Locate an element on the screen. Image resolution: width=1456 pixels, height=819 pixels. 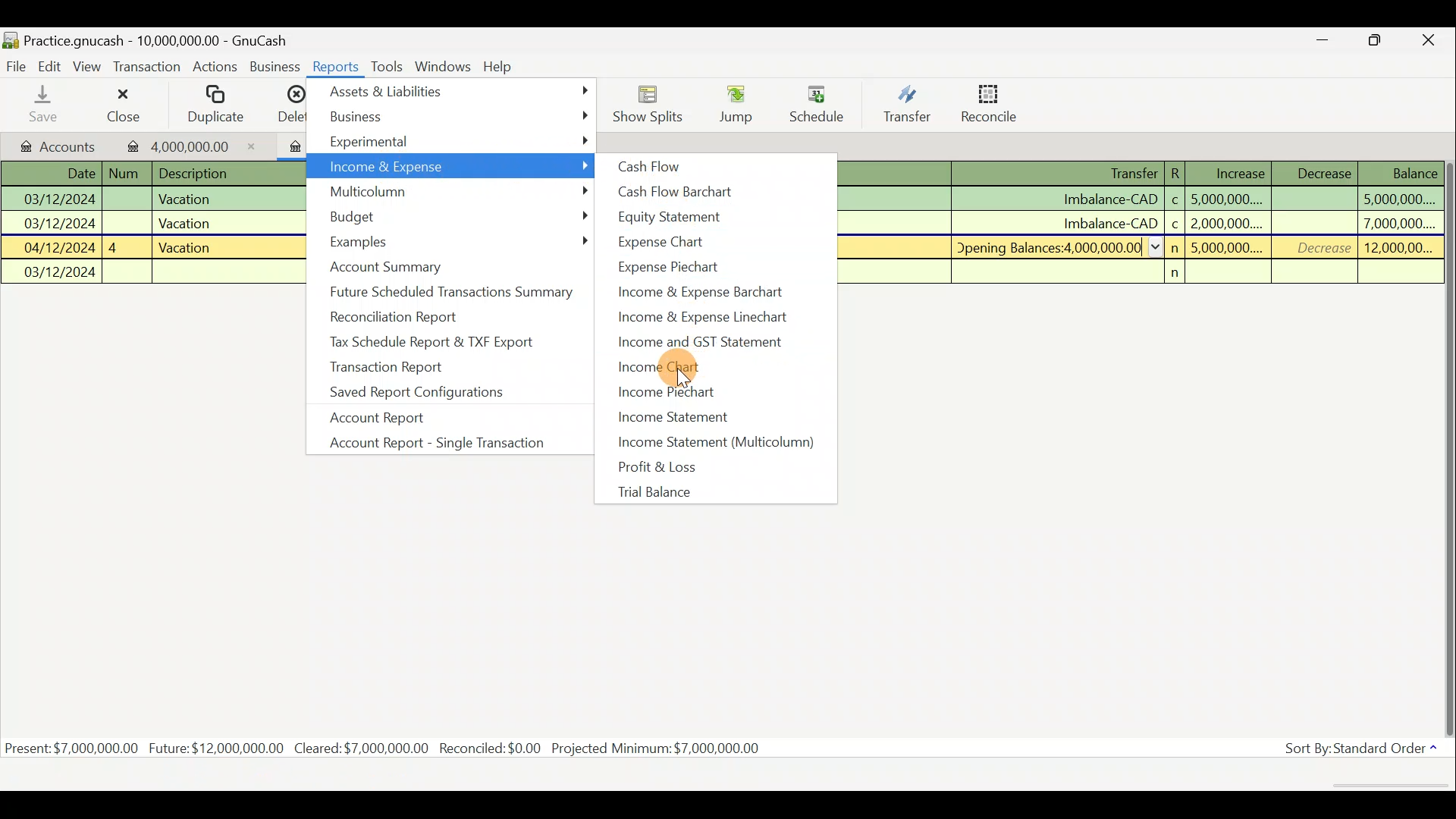
Income piechart is located at coordinates (695, 394).